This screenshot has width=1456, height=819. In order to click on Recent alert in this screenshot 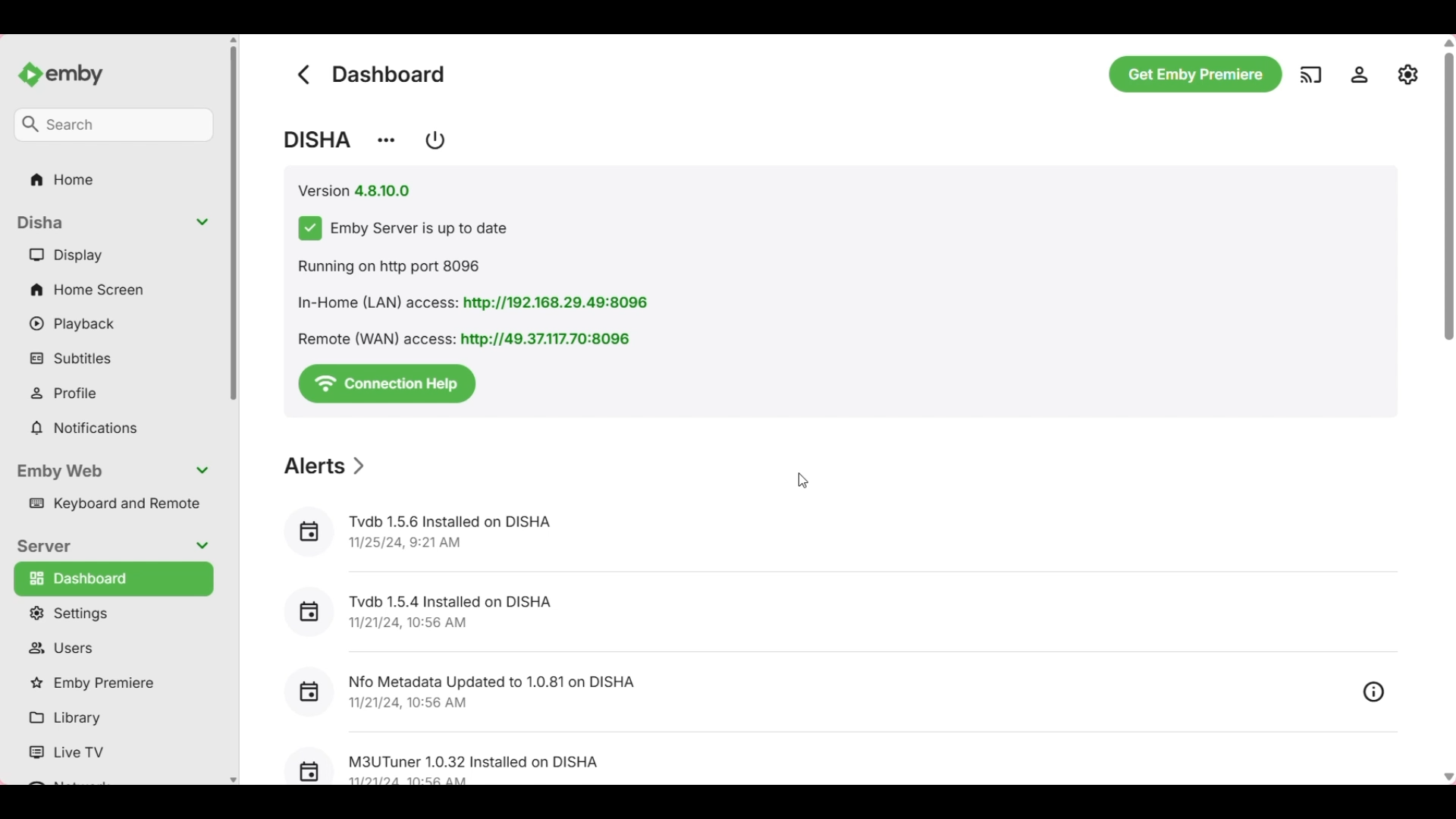, I will do `click(841, 760)`.